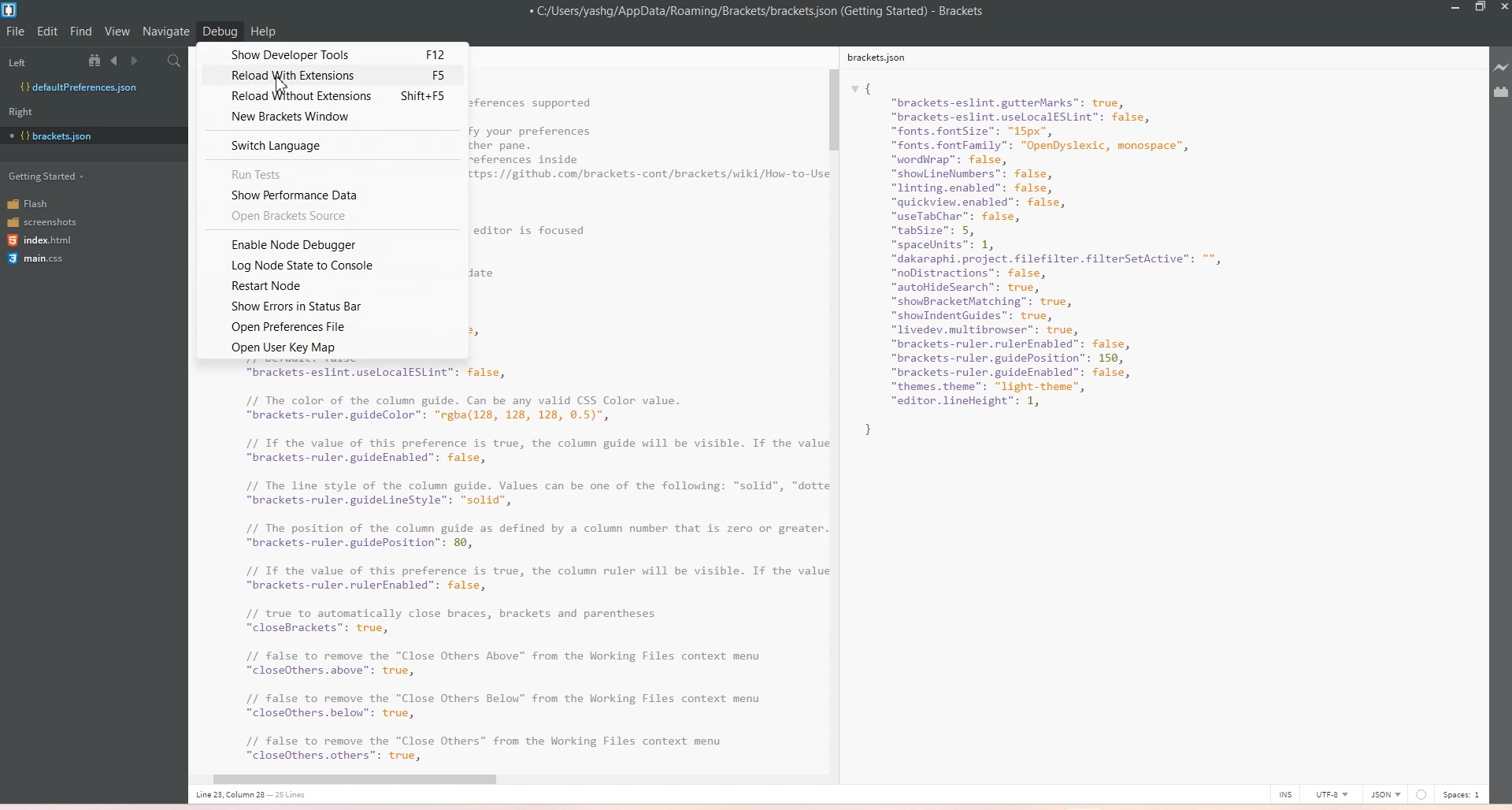 This screenshot has height=810, width=1512. I want to click on Reload without extensions, so click(332, 95).